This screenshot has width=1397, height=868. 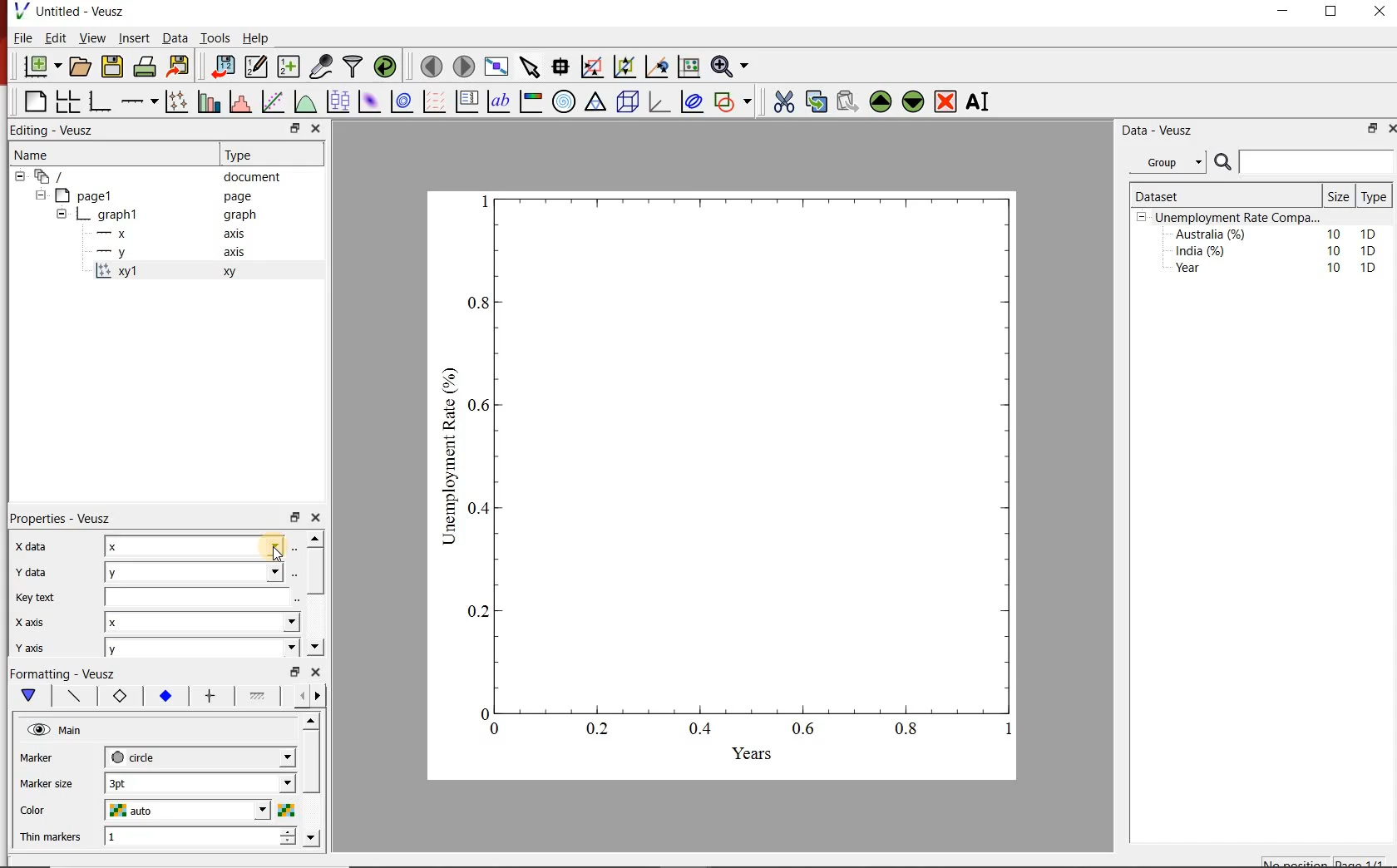 I want to click on print document, so click(x=145, y=65).